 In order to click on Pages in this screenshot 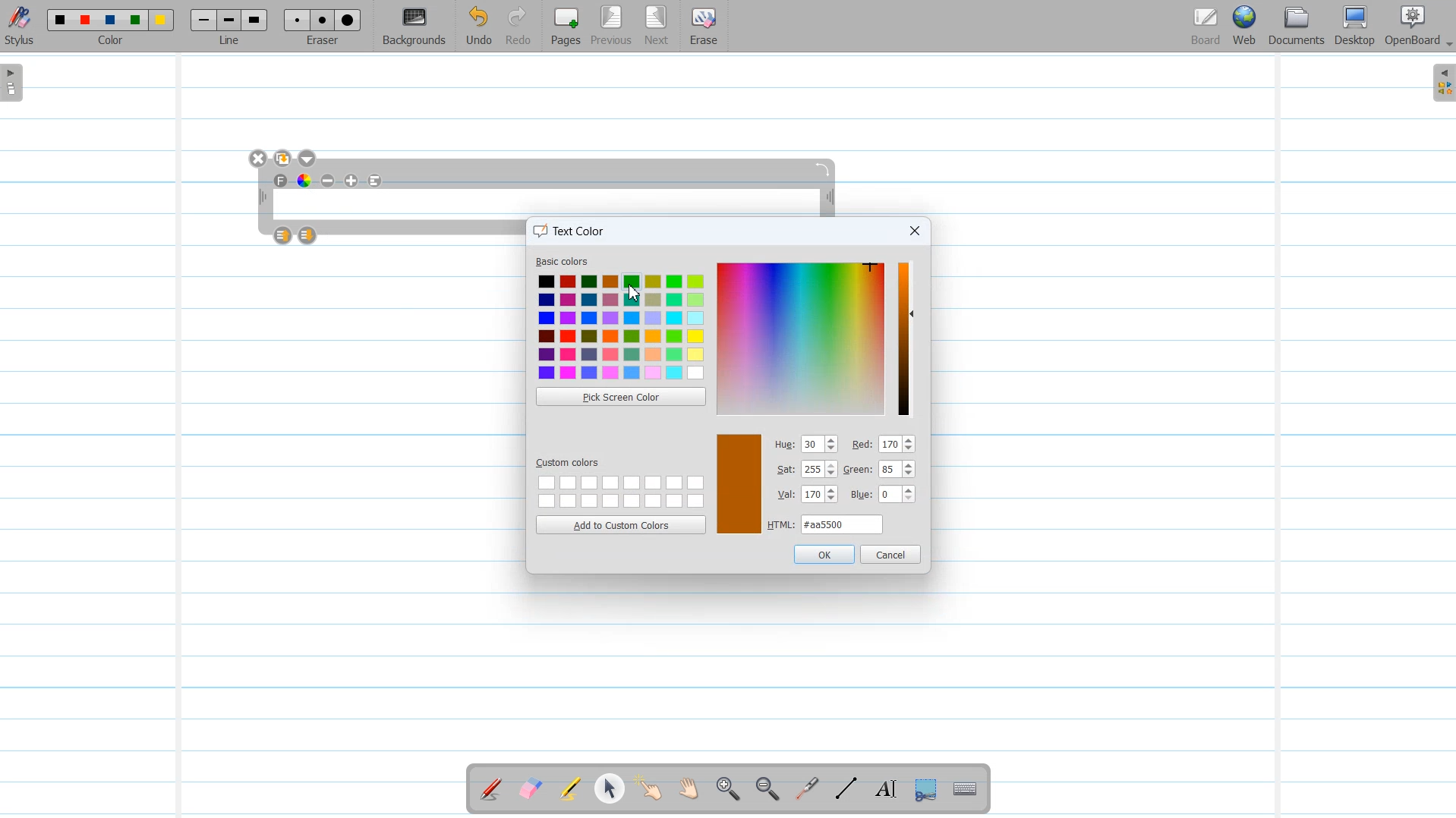, I will do `click(564, 26)`.